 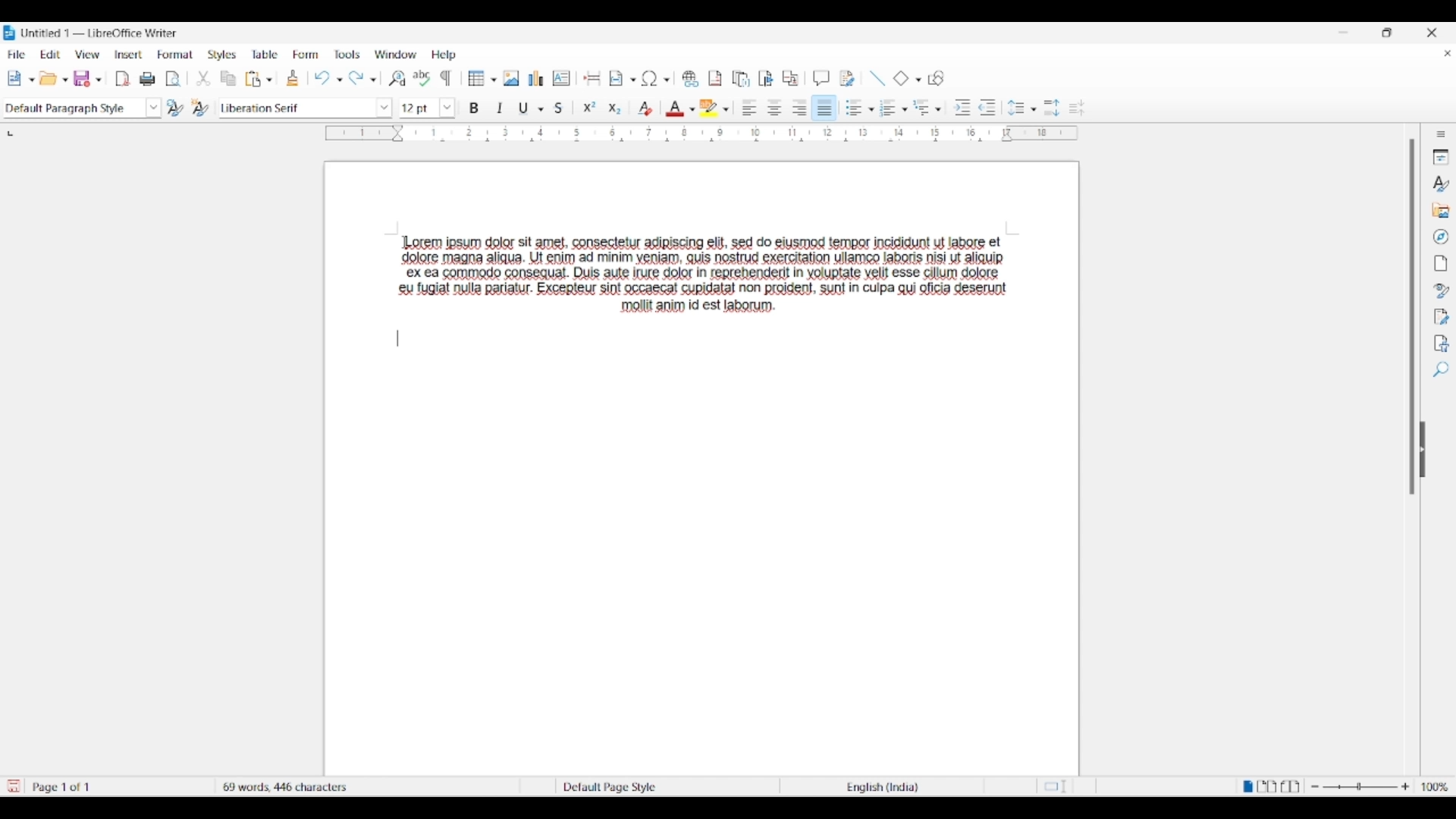 I want to click on Selected underline for text, so click(x=523, y=108).